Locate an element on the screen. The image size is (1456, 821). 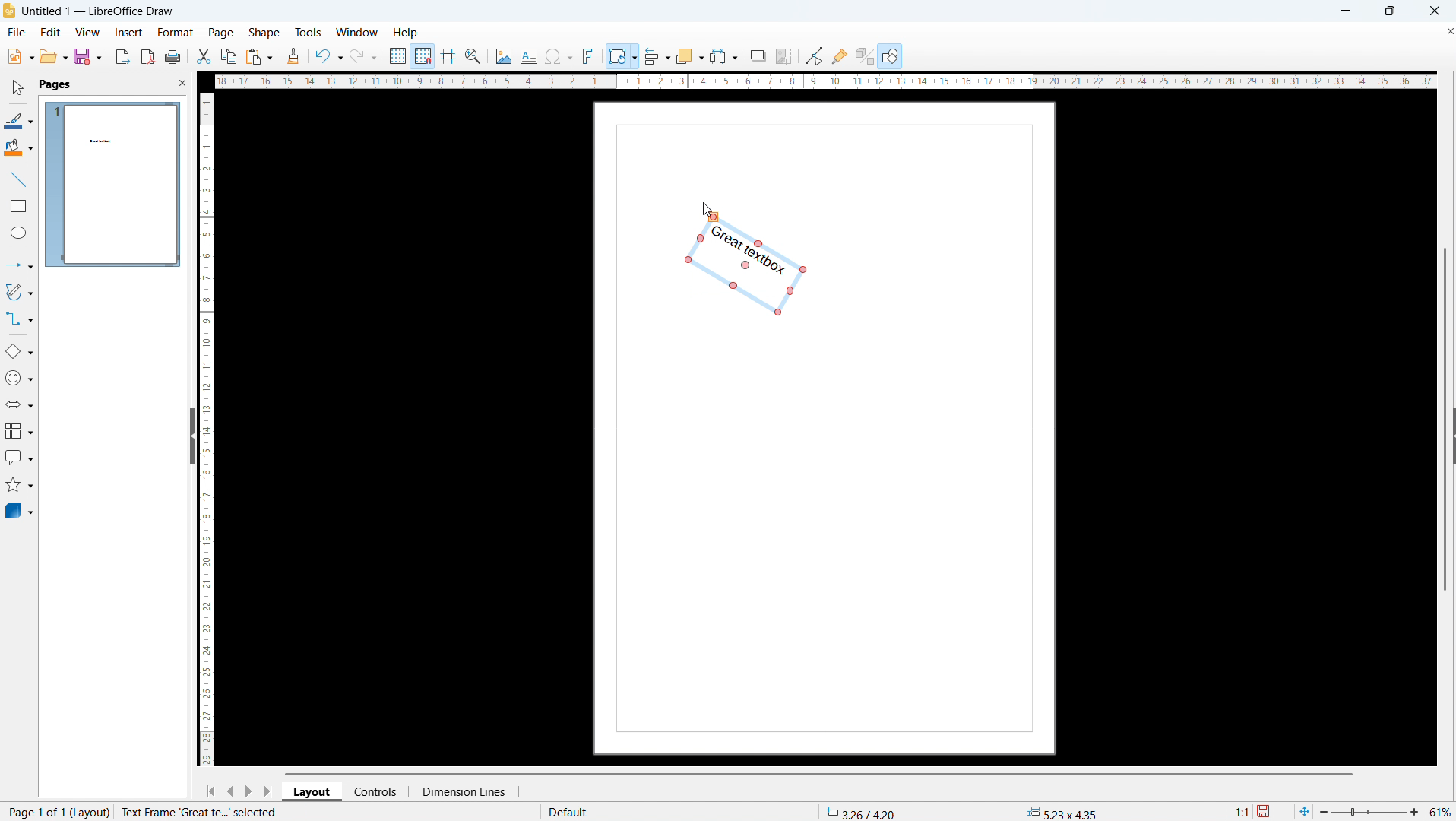
copy is located at coordinates (228, 55).